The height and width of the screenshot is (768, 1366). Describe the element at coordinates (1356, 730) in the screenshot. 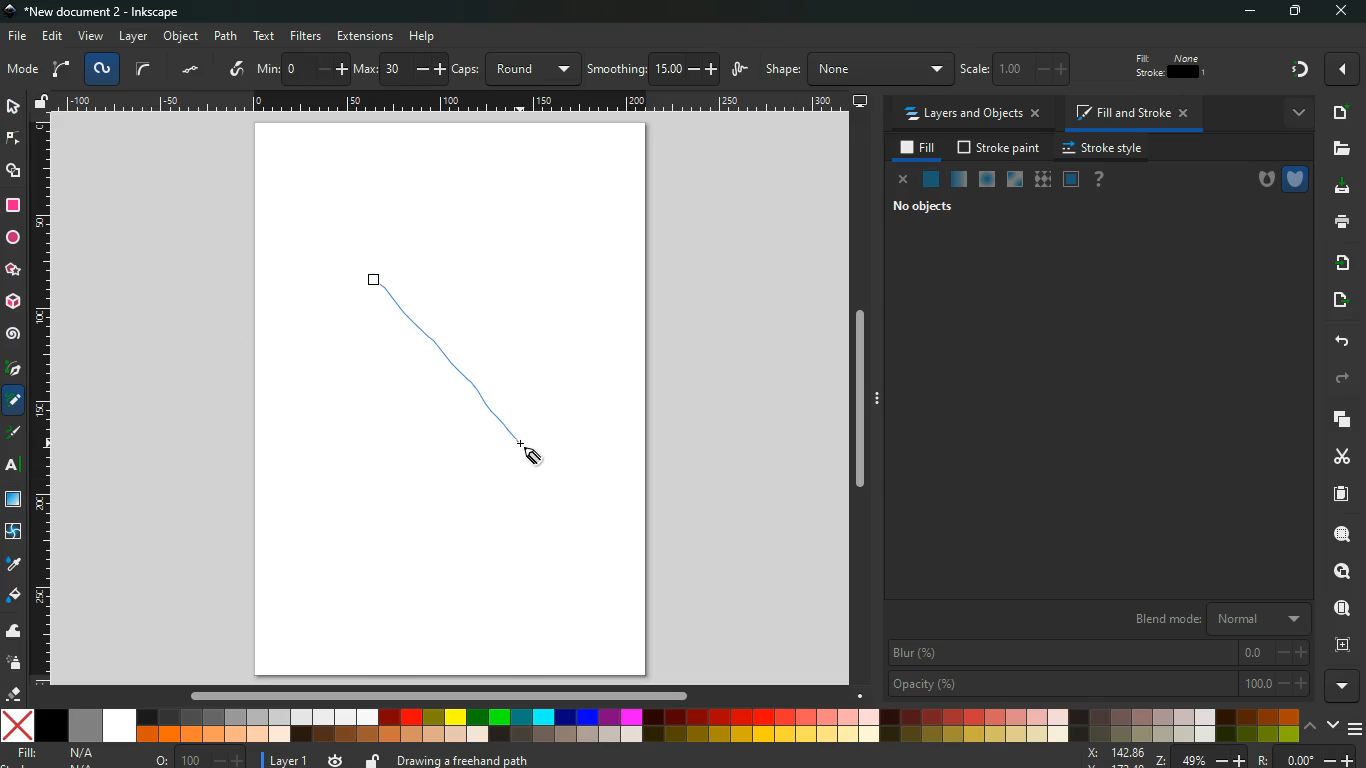

I see `menu` at that location.